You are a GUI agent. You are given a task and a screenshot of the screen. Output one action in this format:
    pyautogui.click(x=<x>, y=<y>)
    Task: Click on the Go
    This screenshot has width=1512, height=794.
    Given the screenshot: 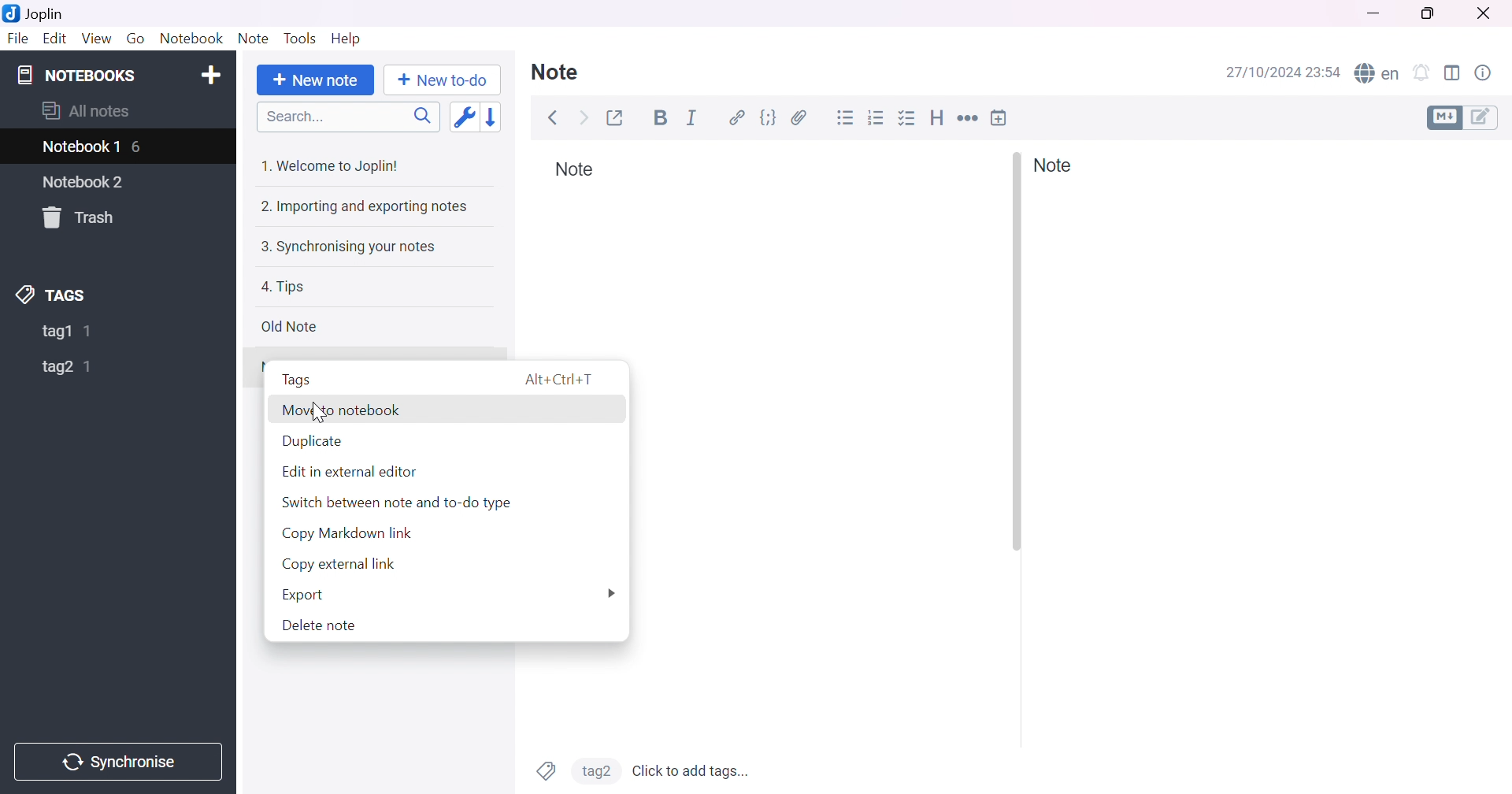 What is the action you would take?
    pyautogui.click(x=136, y=42)
    